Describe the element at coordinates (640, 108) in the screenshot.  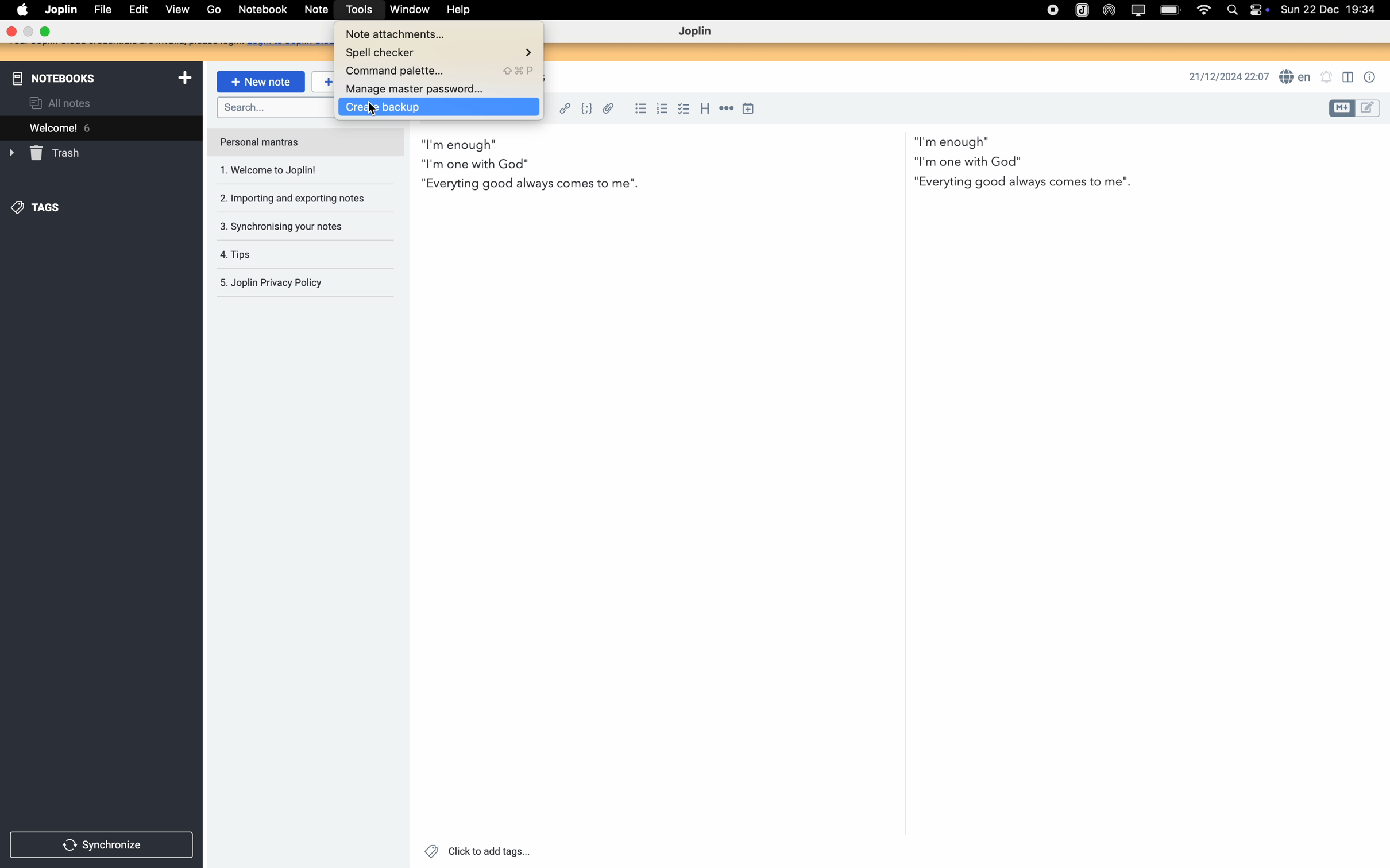
I see `bulleted list` at that location.